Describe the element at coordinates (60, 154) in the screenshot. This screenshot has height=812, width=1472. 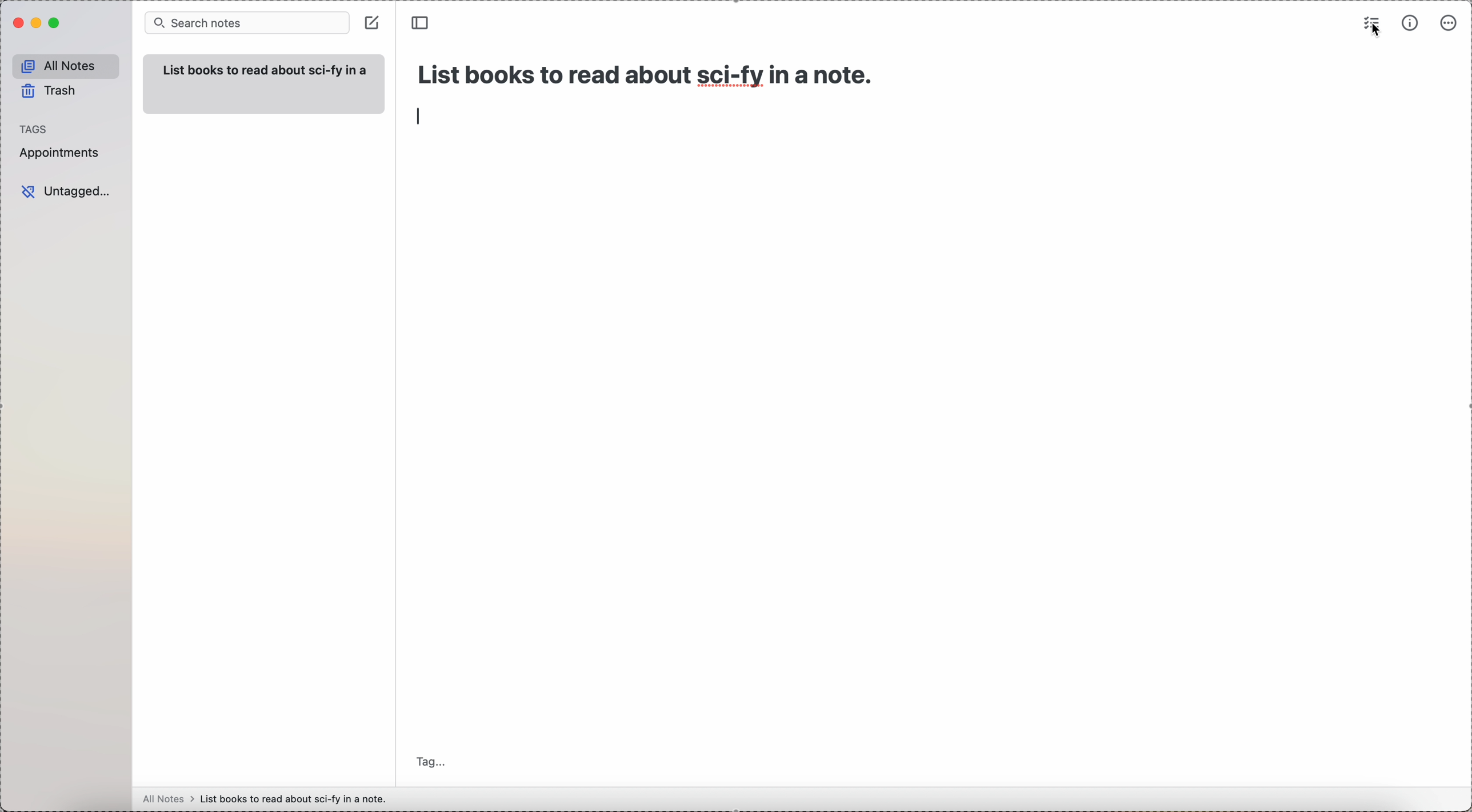
I see `appointments tag` at that location.